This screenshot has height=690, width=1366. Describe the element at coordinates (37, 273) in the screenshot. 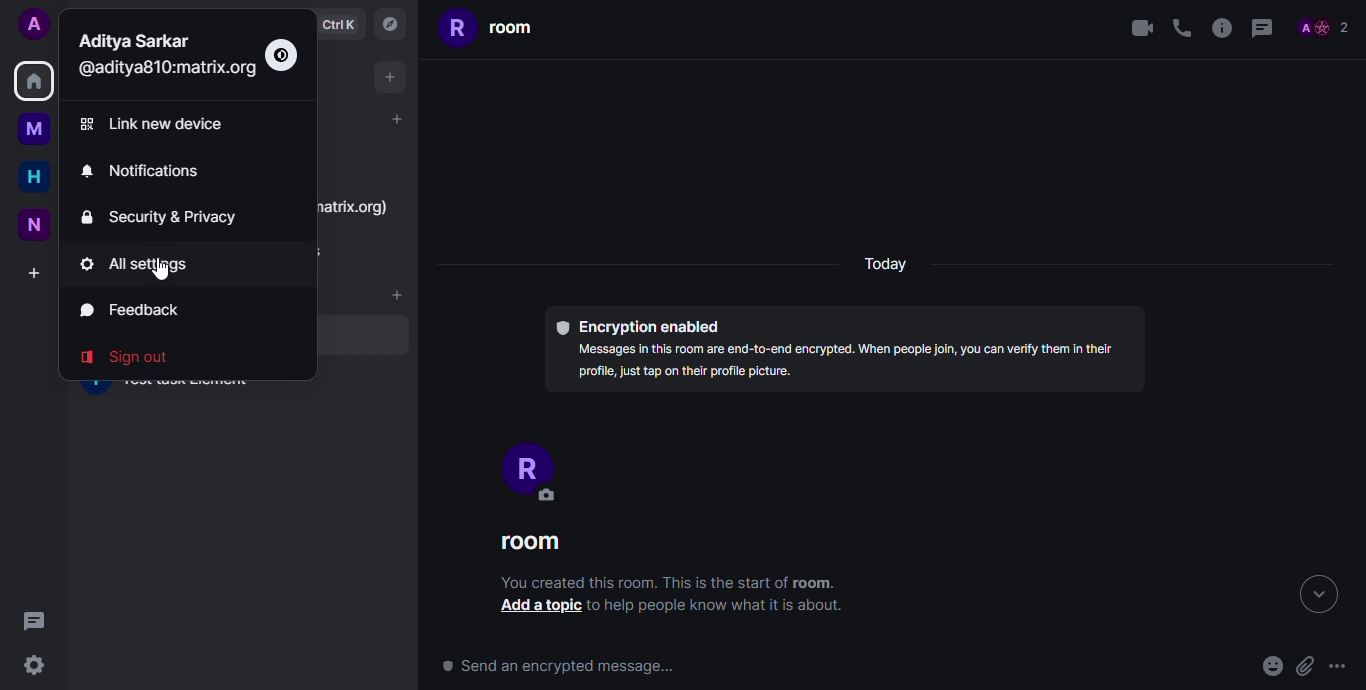

I see `create space` at that location.